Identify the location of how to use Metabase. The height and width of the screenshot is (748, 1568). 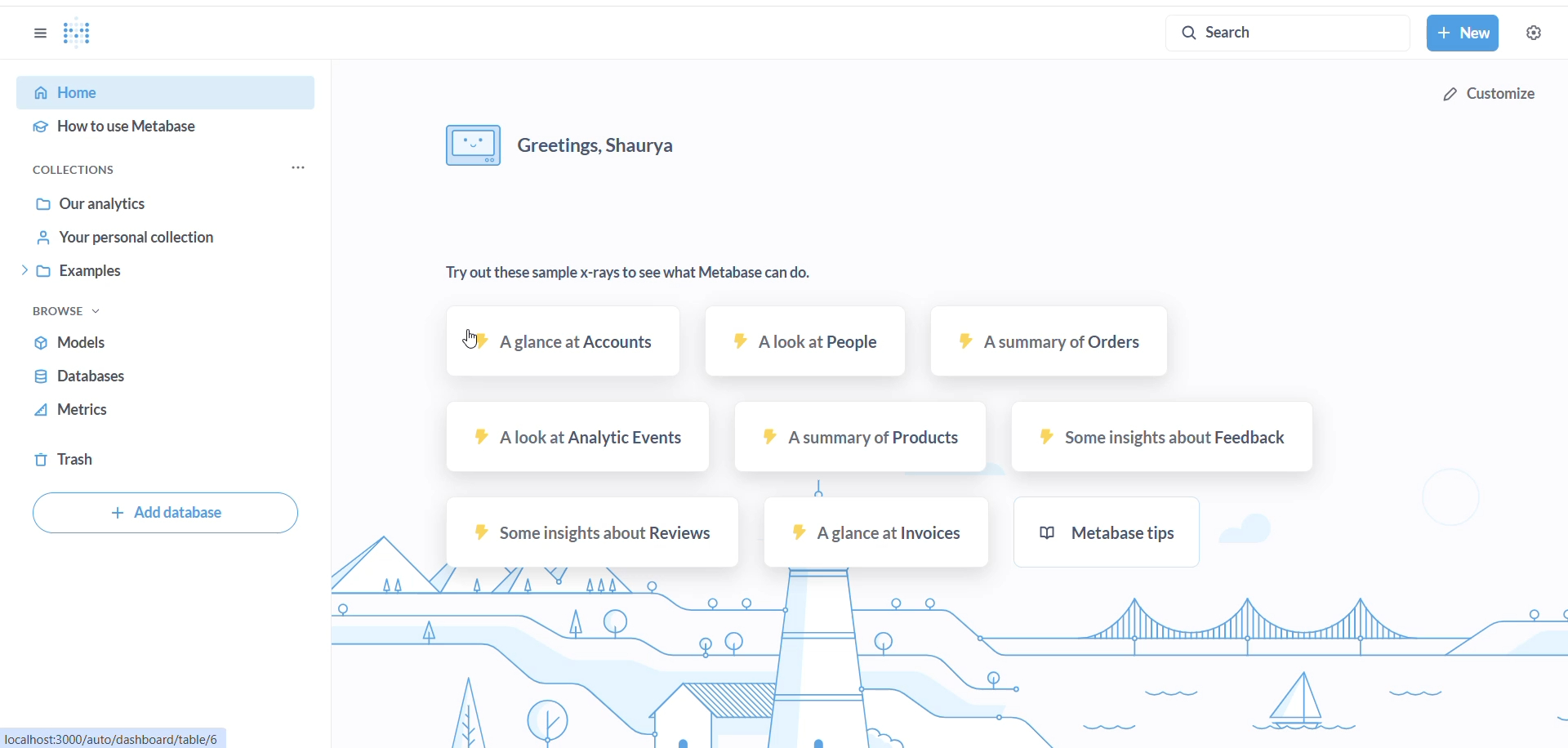
(164, 127).